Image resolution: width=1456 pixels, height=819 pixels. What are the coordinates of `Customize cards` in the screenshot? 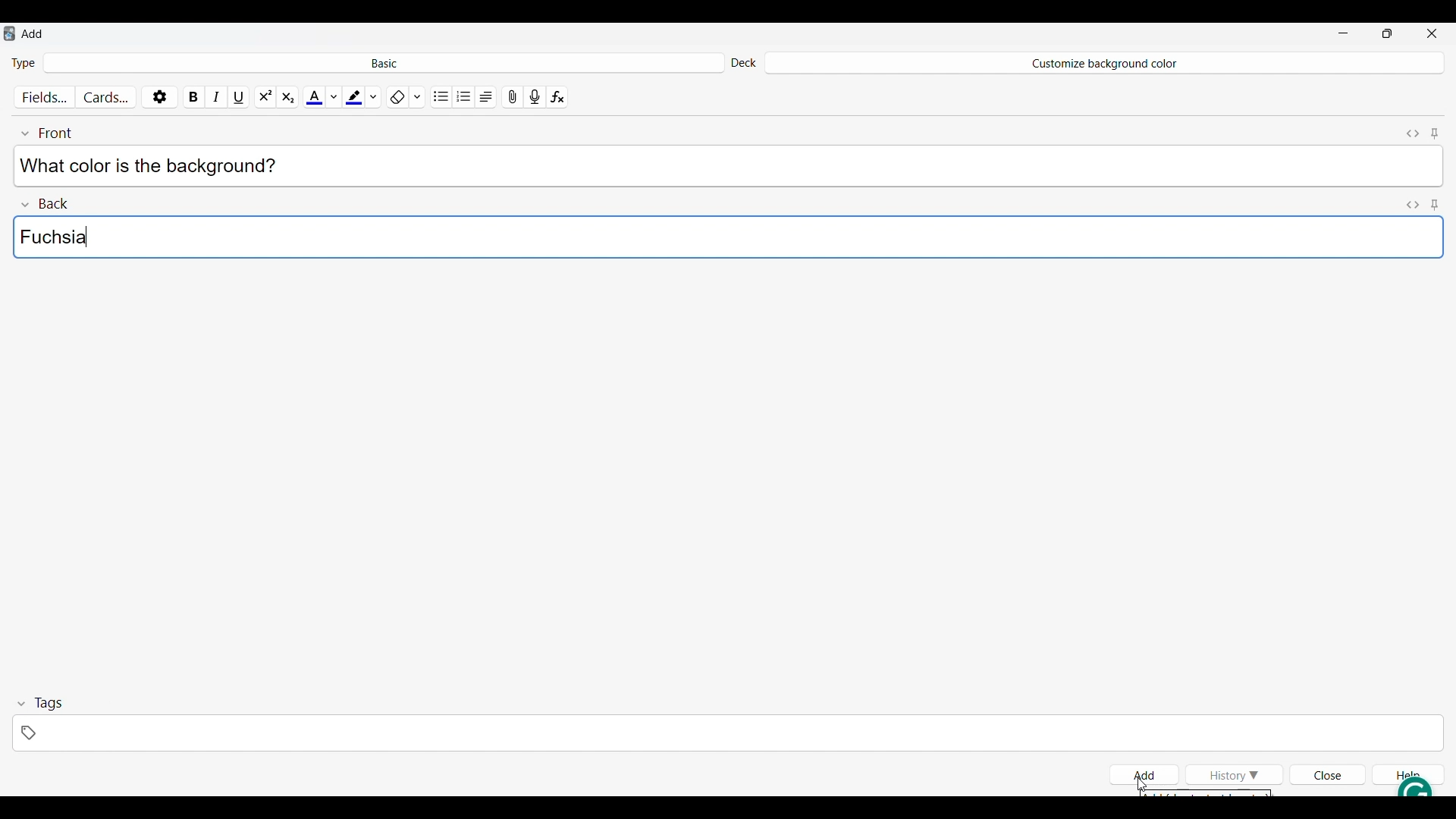 It's located at (106, 94).